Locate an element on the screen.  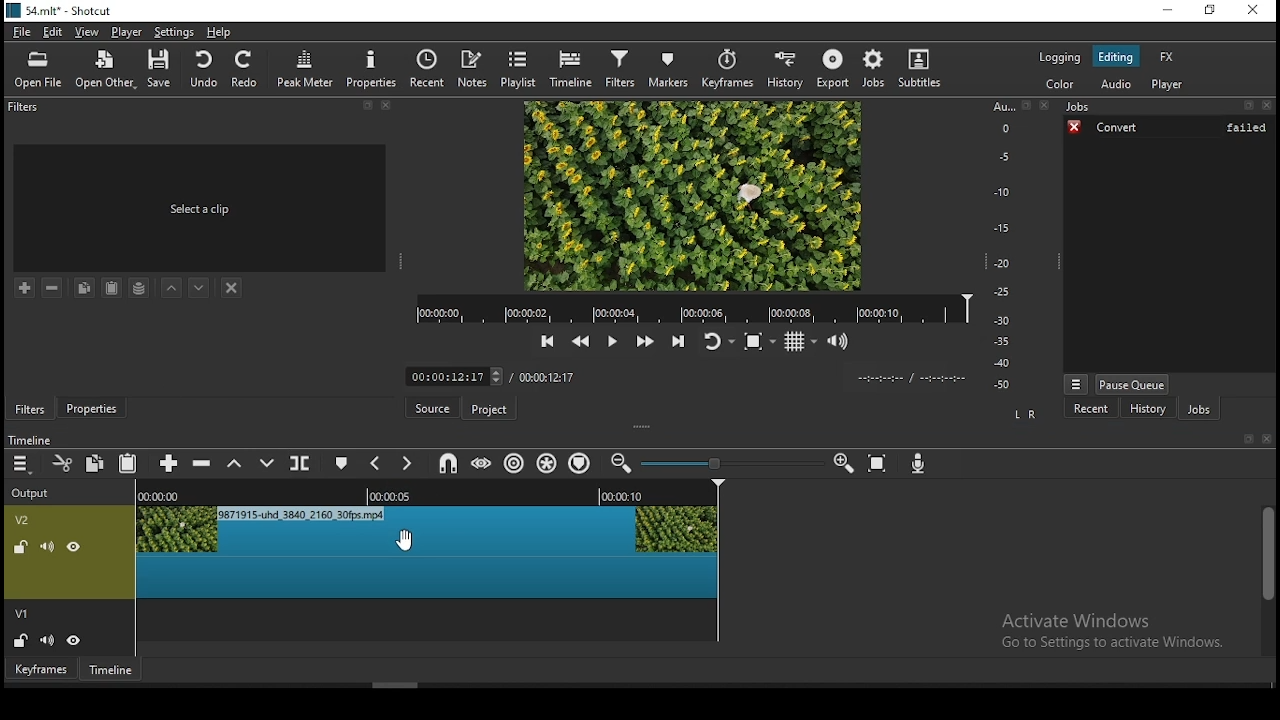
settings is located at coordinates (174, 33).